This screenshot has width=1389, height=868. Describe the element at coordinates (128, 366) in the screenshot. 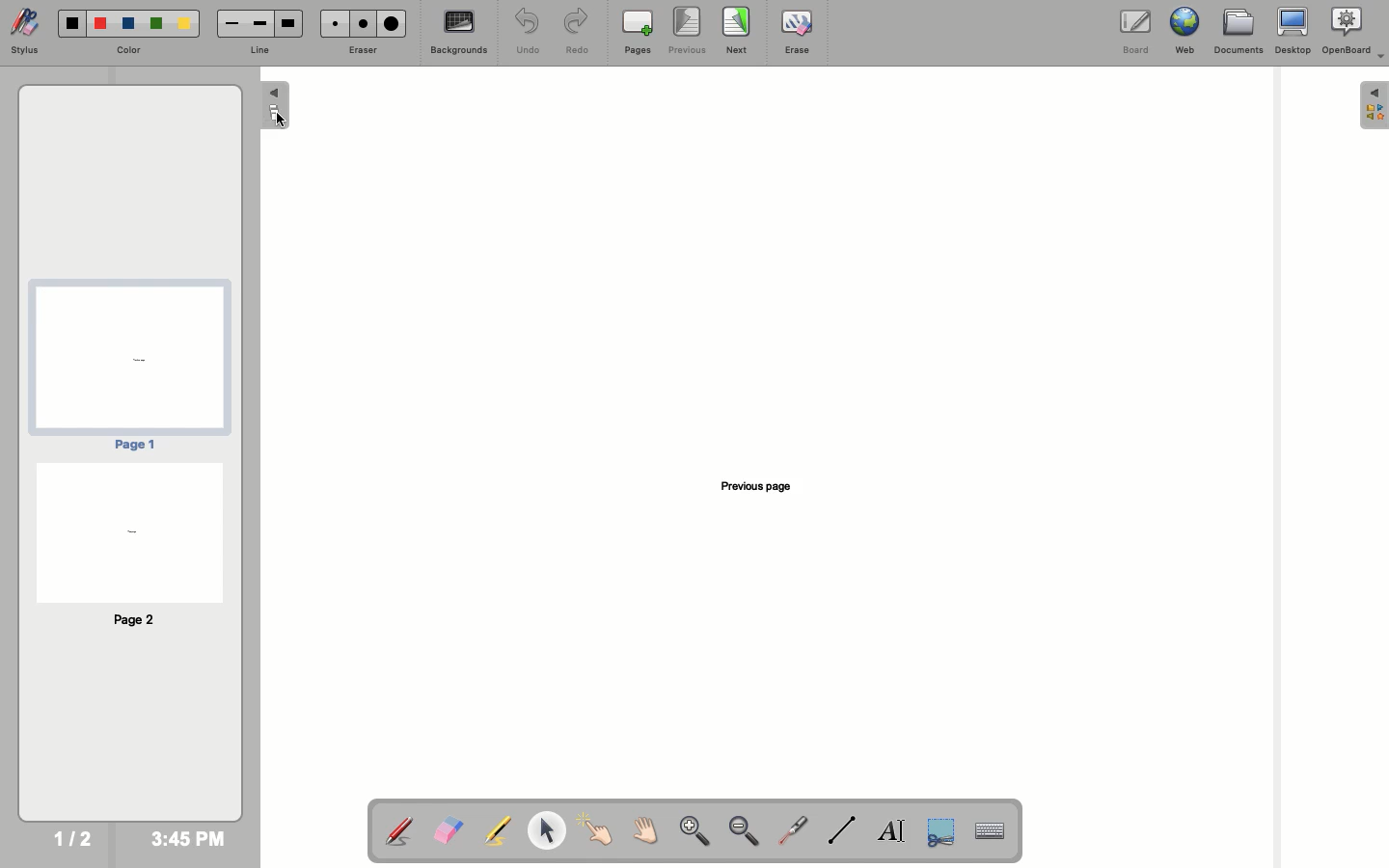

I see `Page 1` at that location.